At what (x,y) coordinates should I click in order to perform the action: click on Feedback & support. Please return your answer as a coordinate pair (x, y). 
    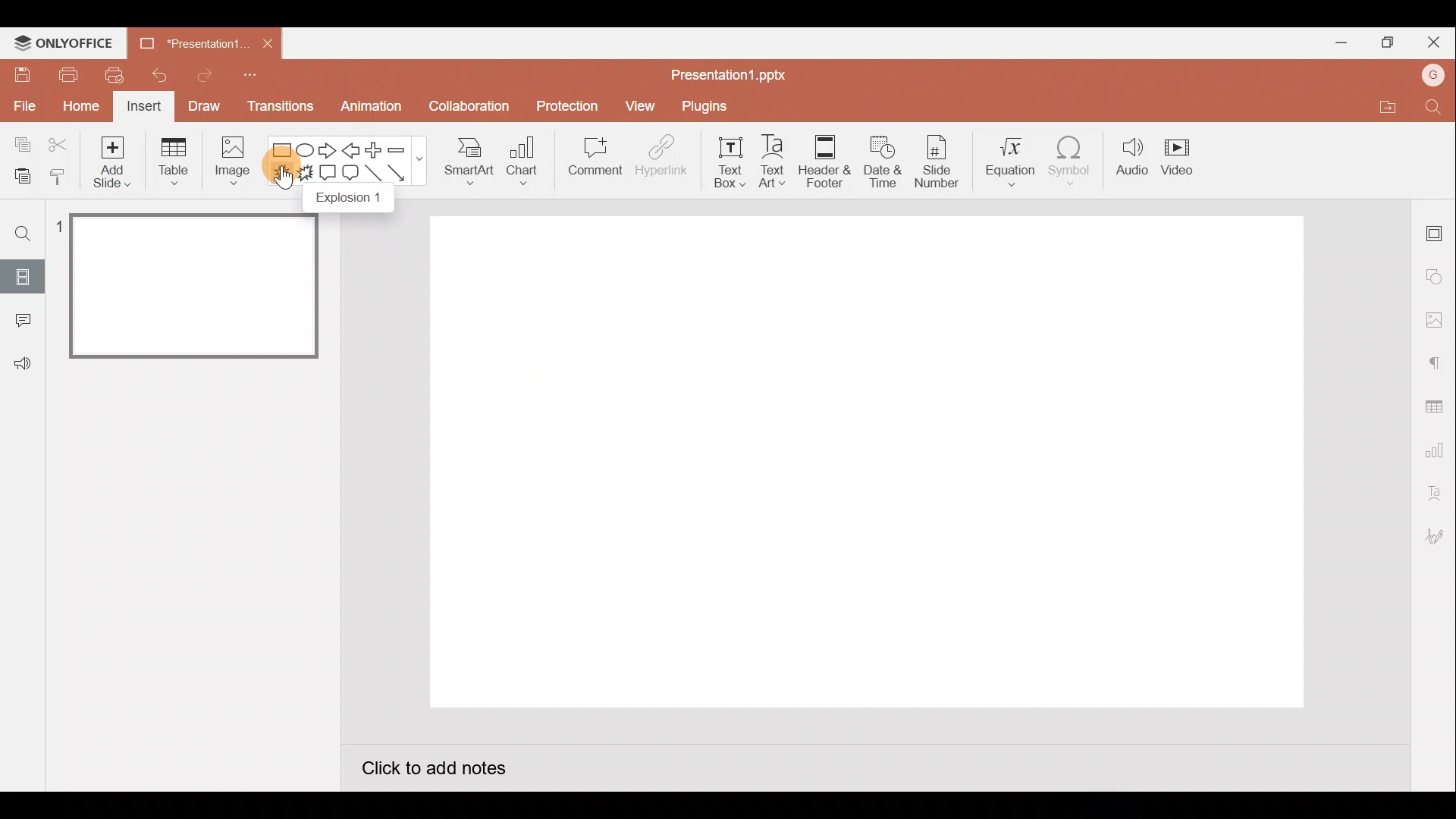
    Looking at the image, I should click on (22, 365).